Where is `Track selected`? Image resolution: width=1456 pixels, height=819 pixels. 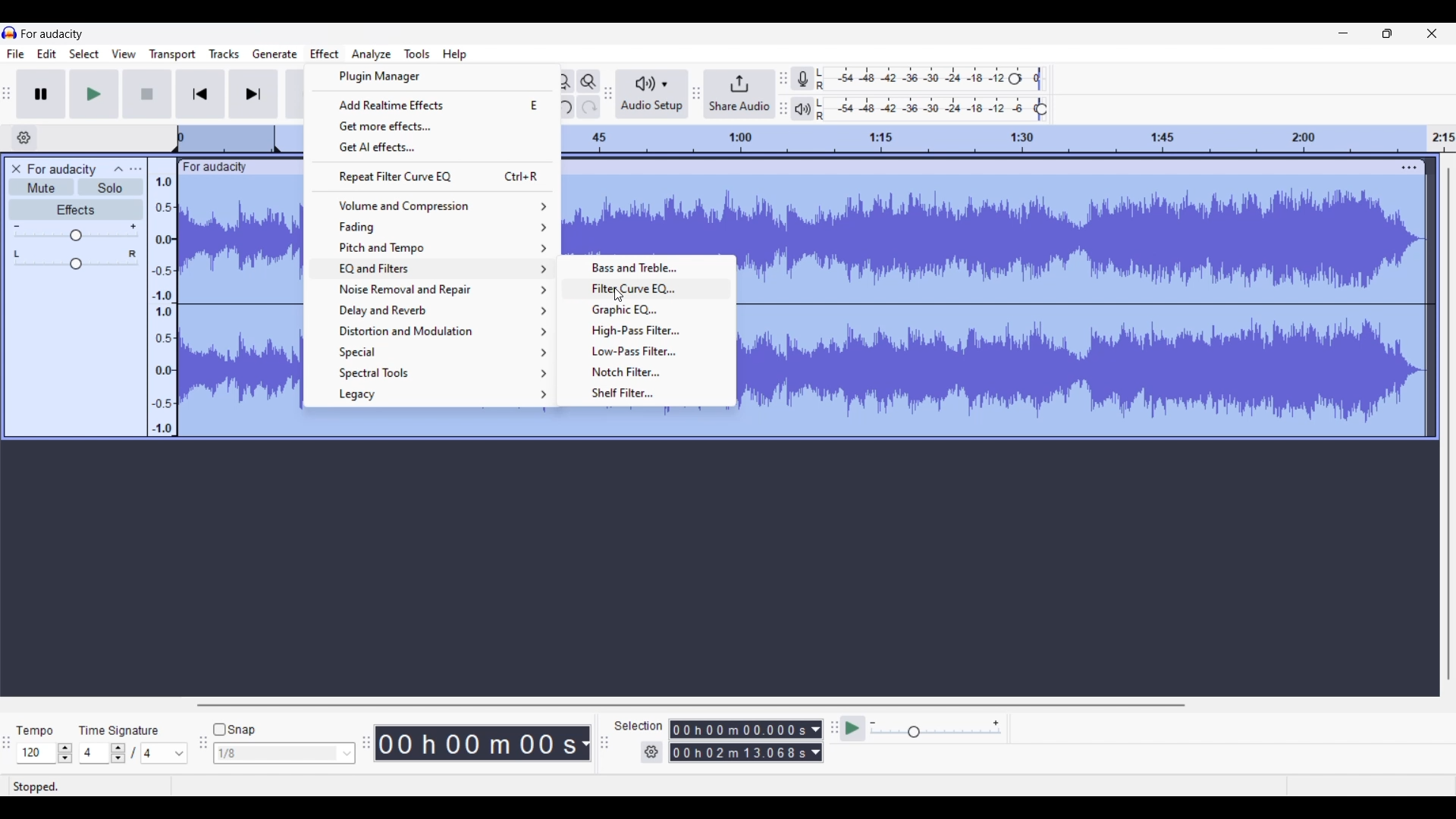
Track selected is located at coordinates (1088, 308).